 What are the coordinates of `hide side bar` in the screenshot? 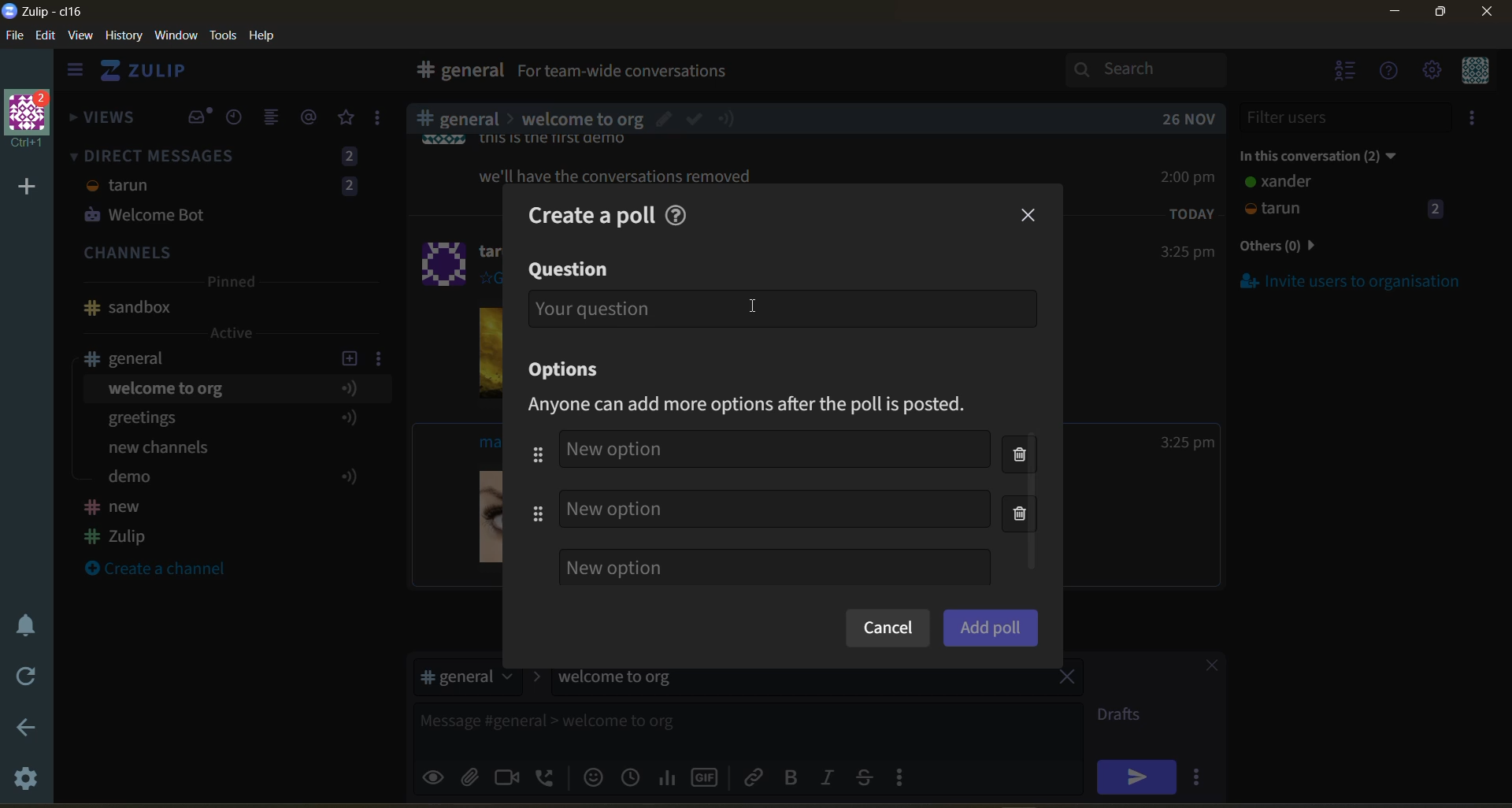 It's located at (75, 73).